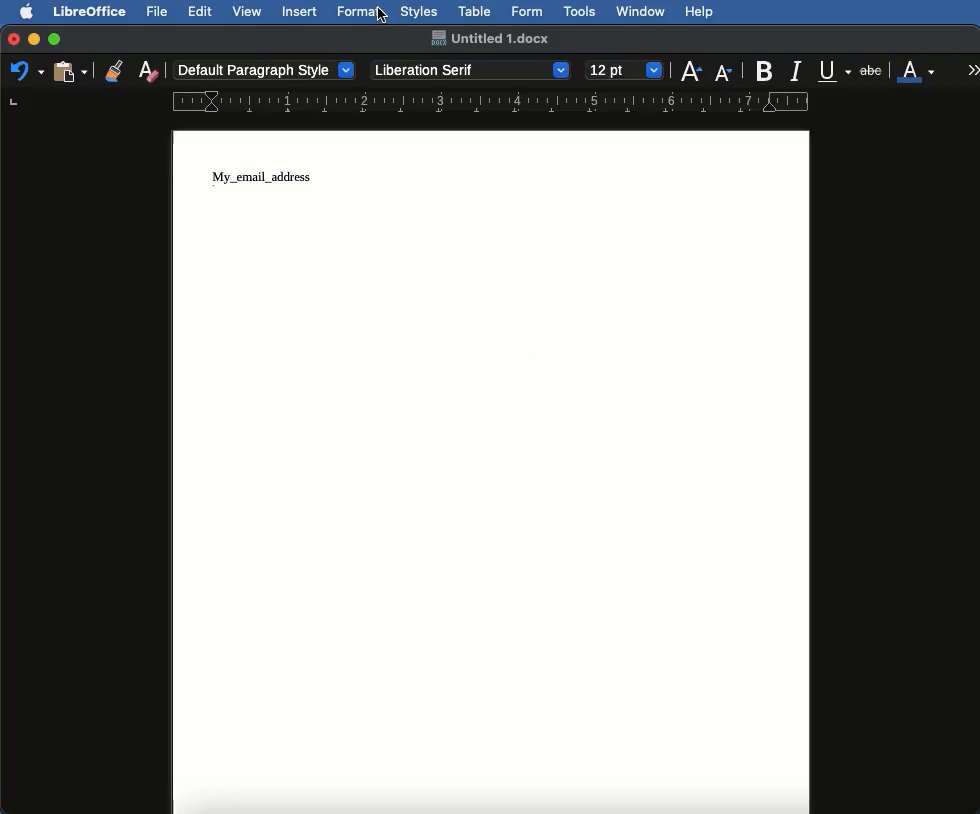 Image resolution: width=980 pixels, height=814 pixels. Describe the element at coordinates (974, 69) in the screenshot. I see `More` at that location.